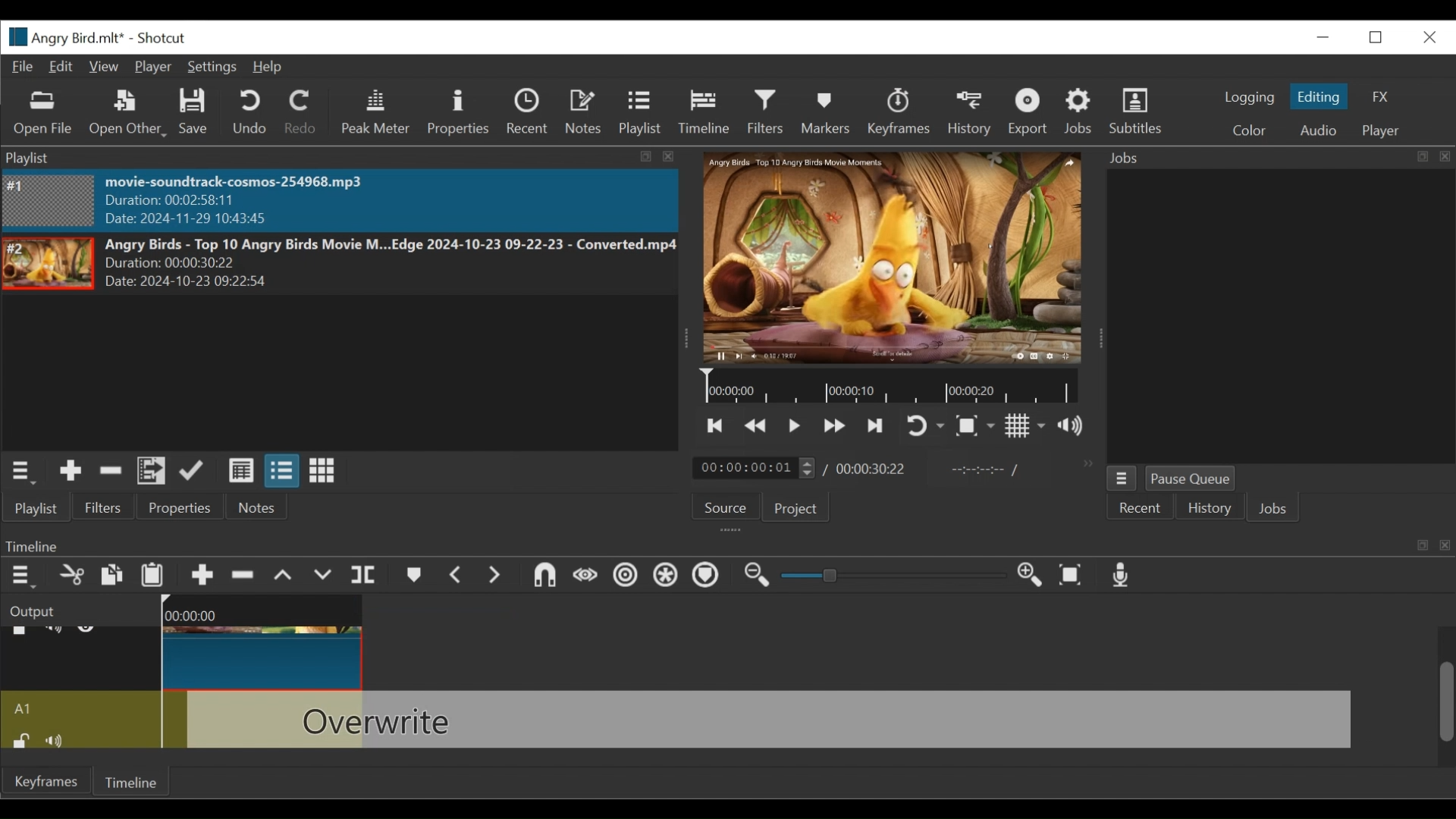 This screenshot has width=1456, height=819. What do you see at coordinates (761, 576) in the screenshot?
I see `Zoom timeline out` at bounding box center [761, 576].